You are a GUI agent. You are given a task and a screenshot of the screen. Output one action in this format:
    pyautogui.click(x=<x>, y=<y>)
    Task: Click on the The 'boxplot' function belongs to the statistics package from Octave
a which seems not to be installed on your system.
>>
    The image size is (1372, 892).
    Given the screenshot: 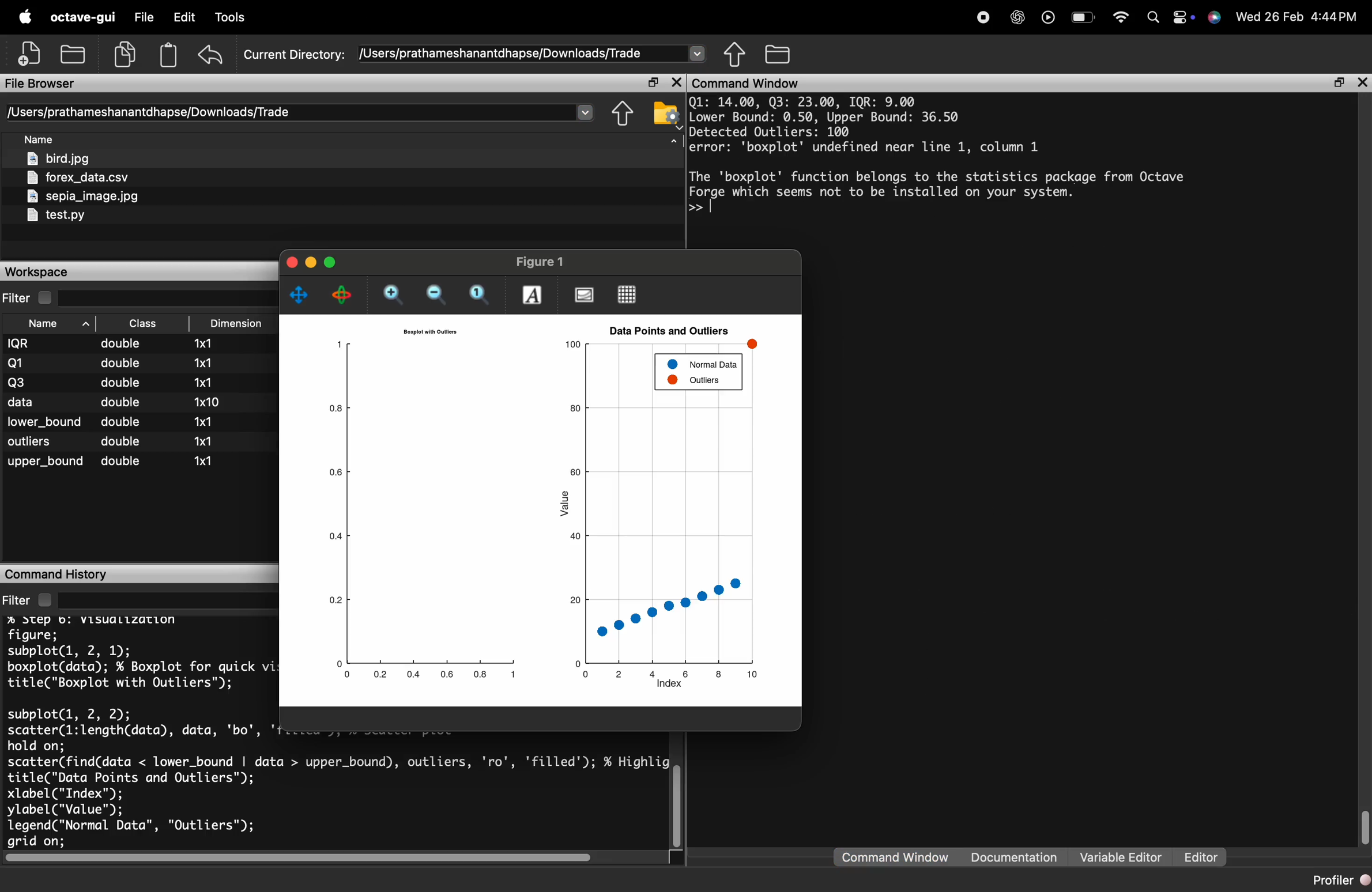 What is the action you would take?
    pyautogui.click(x=937, y=194)
    